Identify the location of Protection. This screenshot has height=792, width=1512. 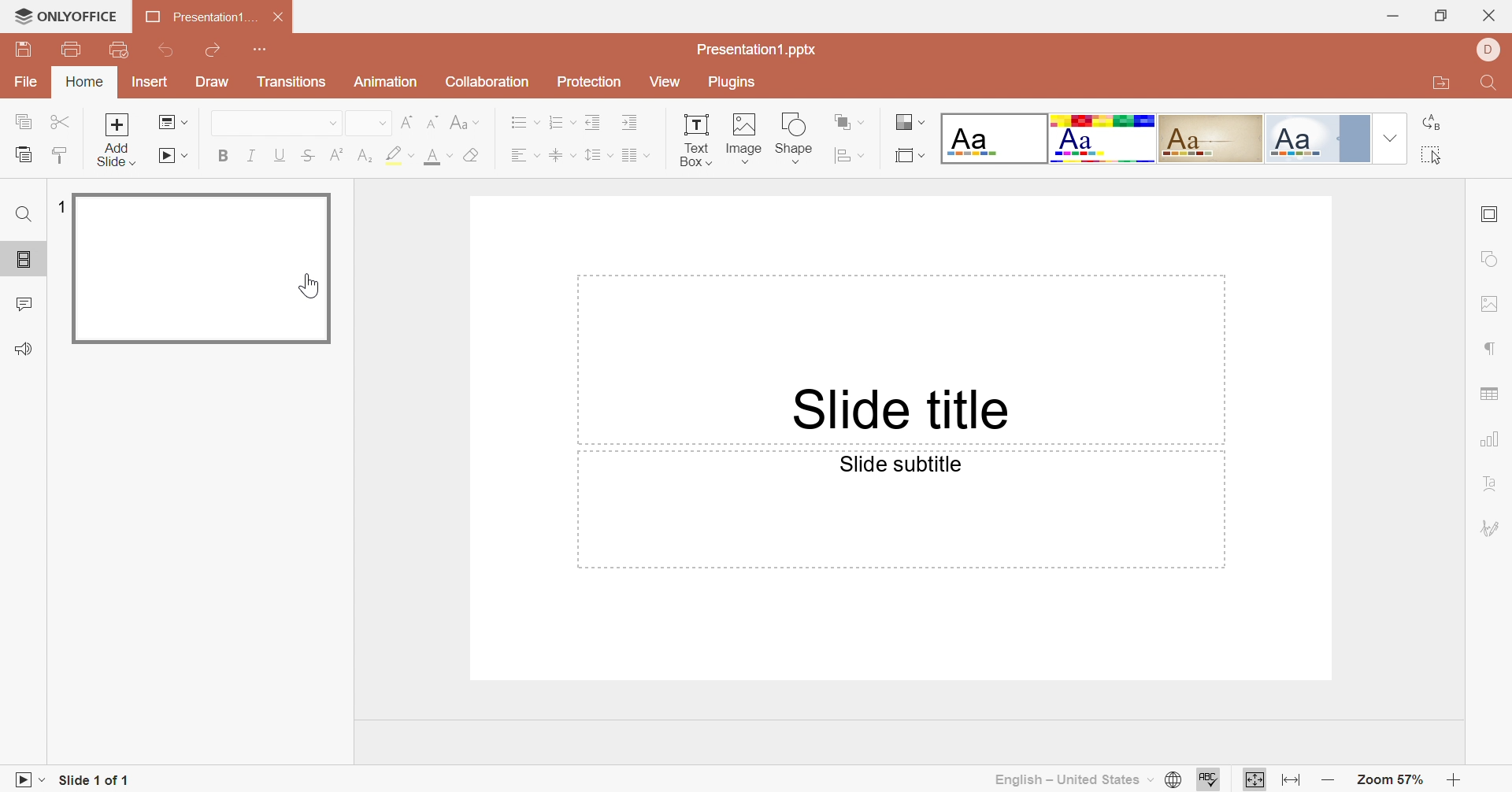
(589, 81).